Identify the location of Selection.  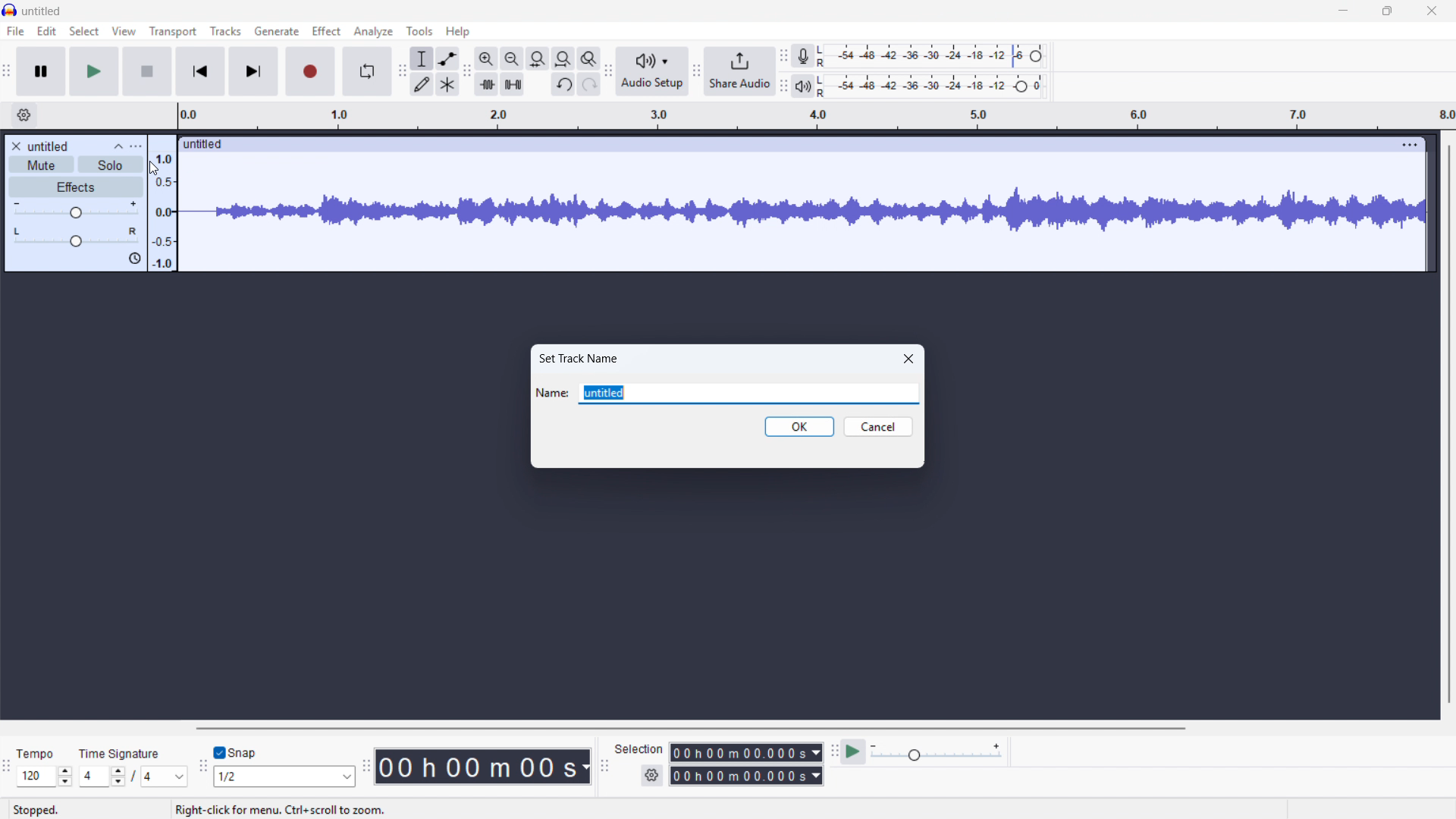
(640, 749).